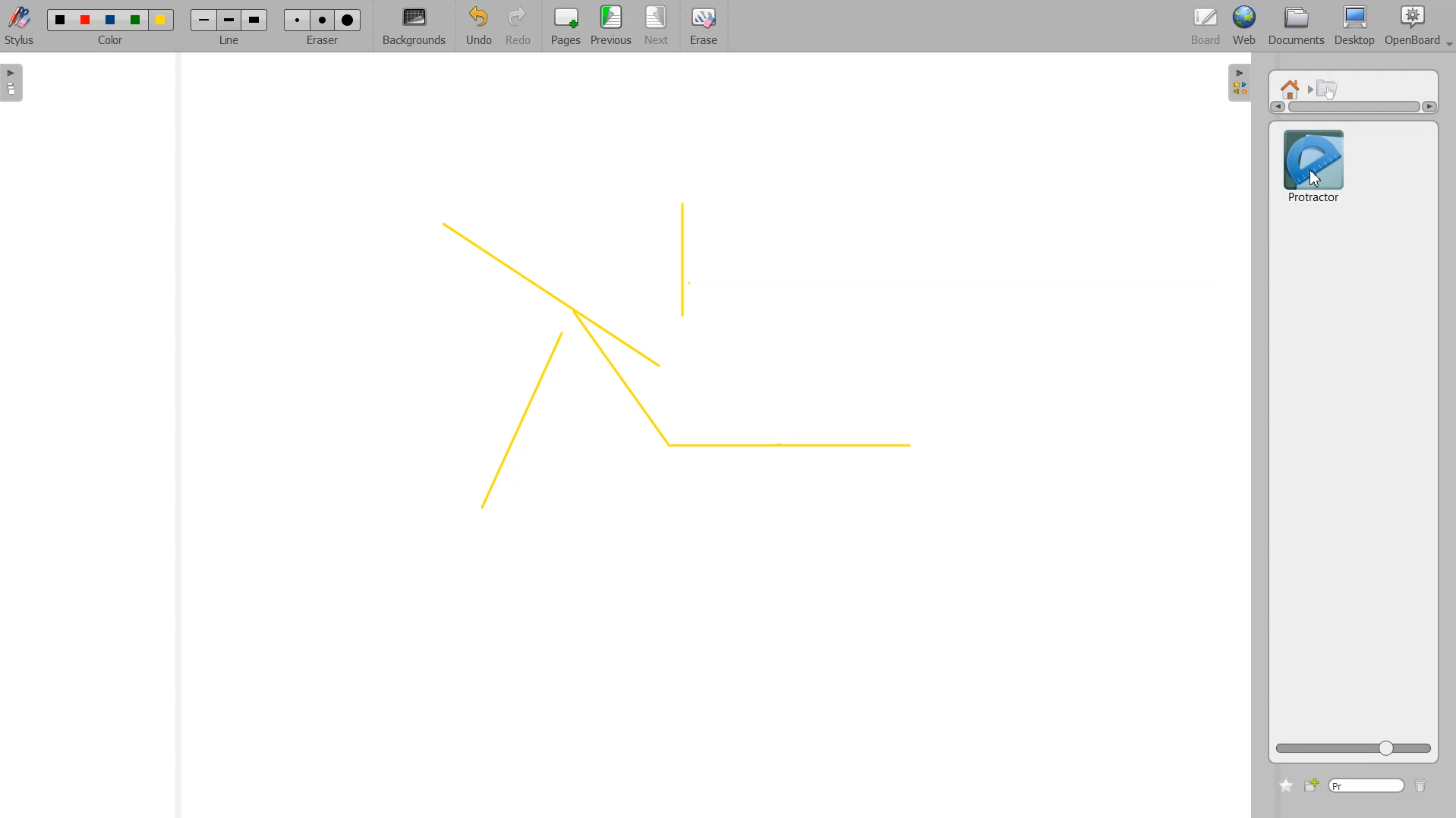 Image resolution: width=1456 pixels, height=818 pixels. I want to click on Next, so click(658, 27).